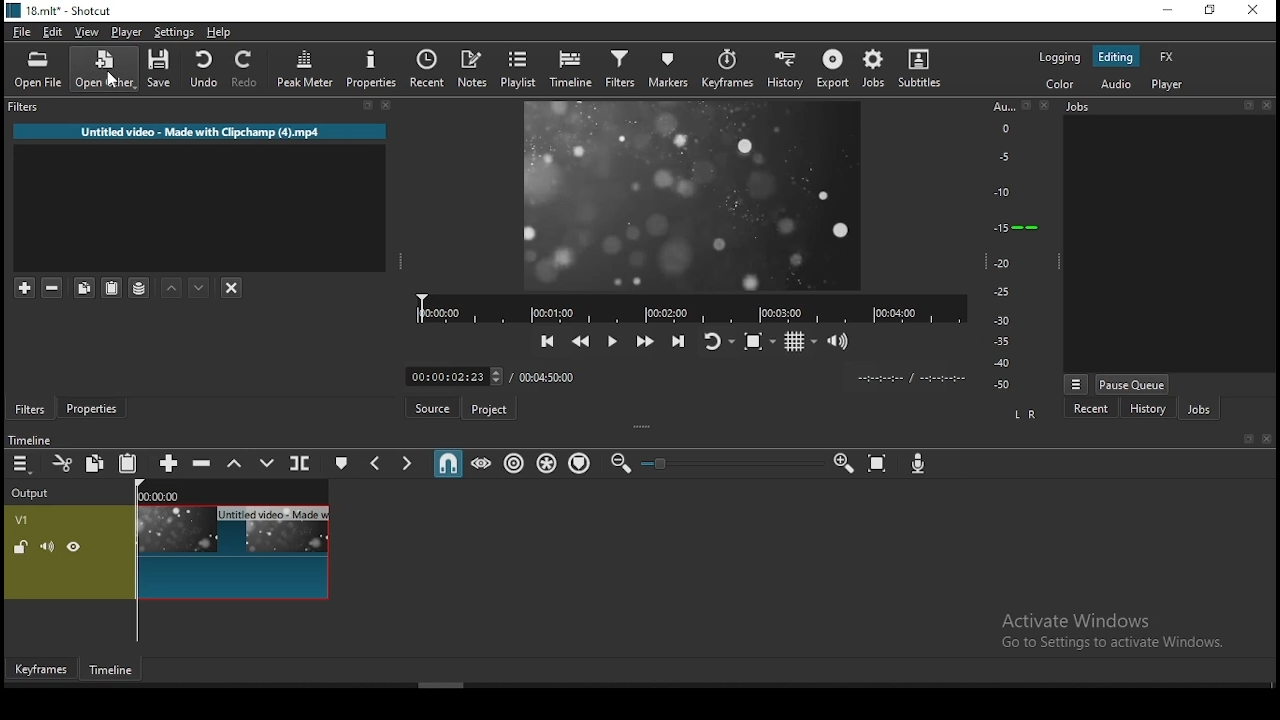 The height and width of the screenshot is (720, 1280). Describe the element at coordinates (911, 377) in the screenshot. I see `Time format` at that location.